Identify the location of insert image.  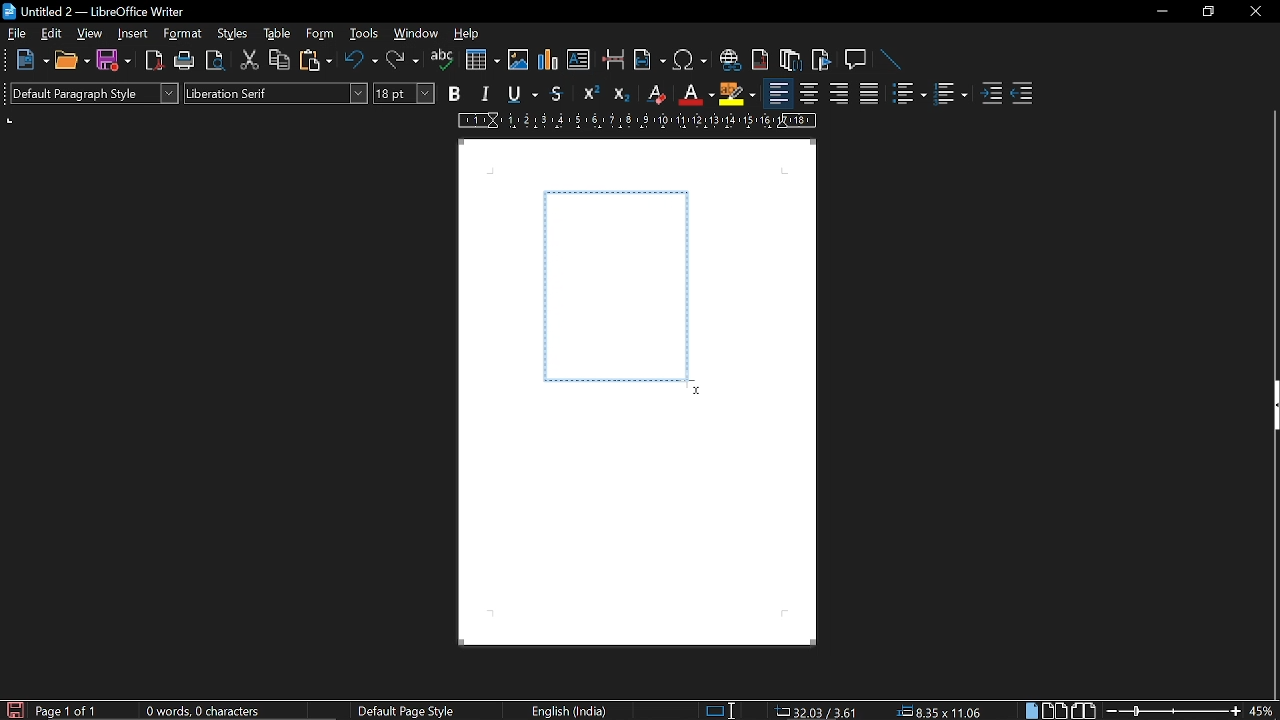
(518, 62).